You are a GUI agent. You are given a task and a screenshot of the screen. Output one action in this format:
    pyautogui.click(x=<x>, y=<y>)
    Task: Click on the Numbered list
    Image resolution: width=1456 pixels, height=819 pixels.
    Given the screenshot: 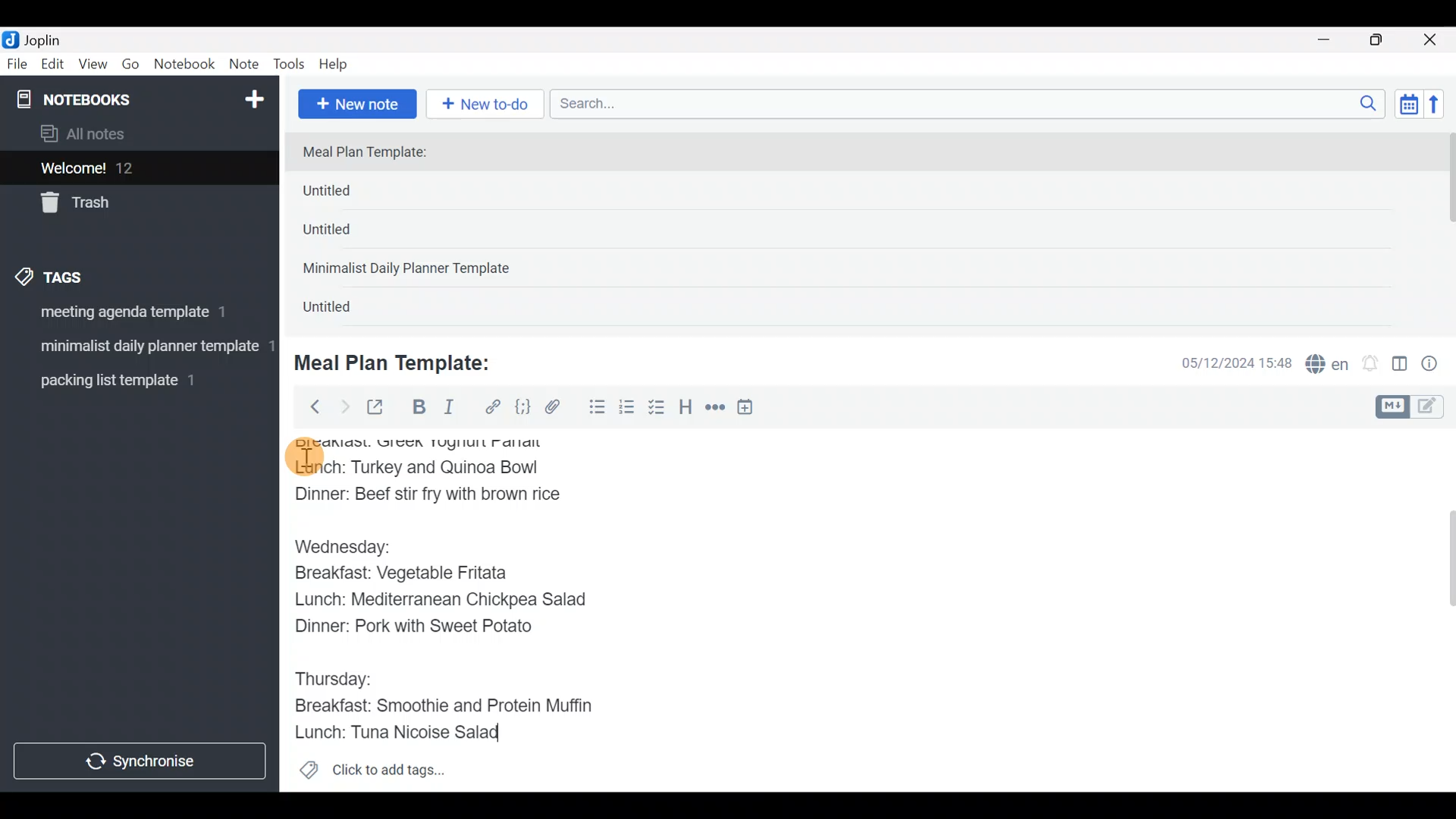 What is the action you would take?
    pyautogui.click(x=627, y=410)
    